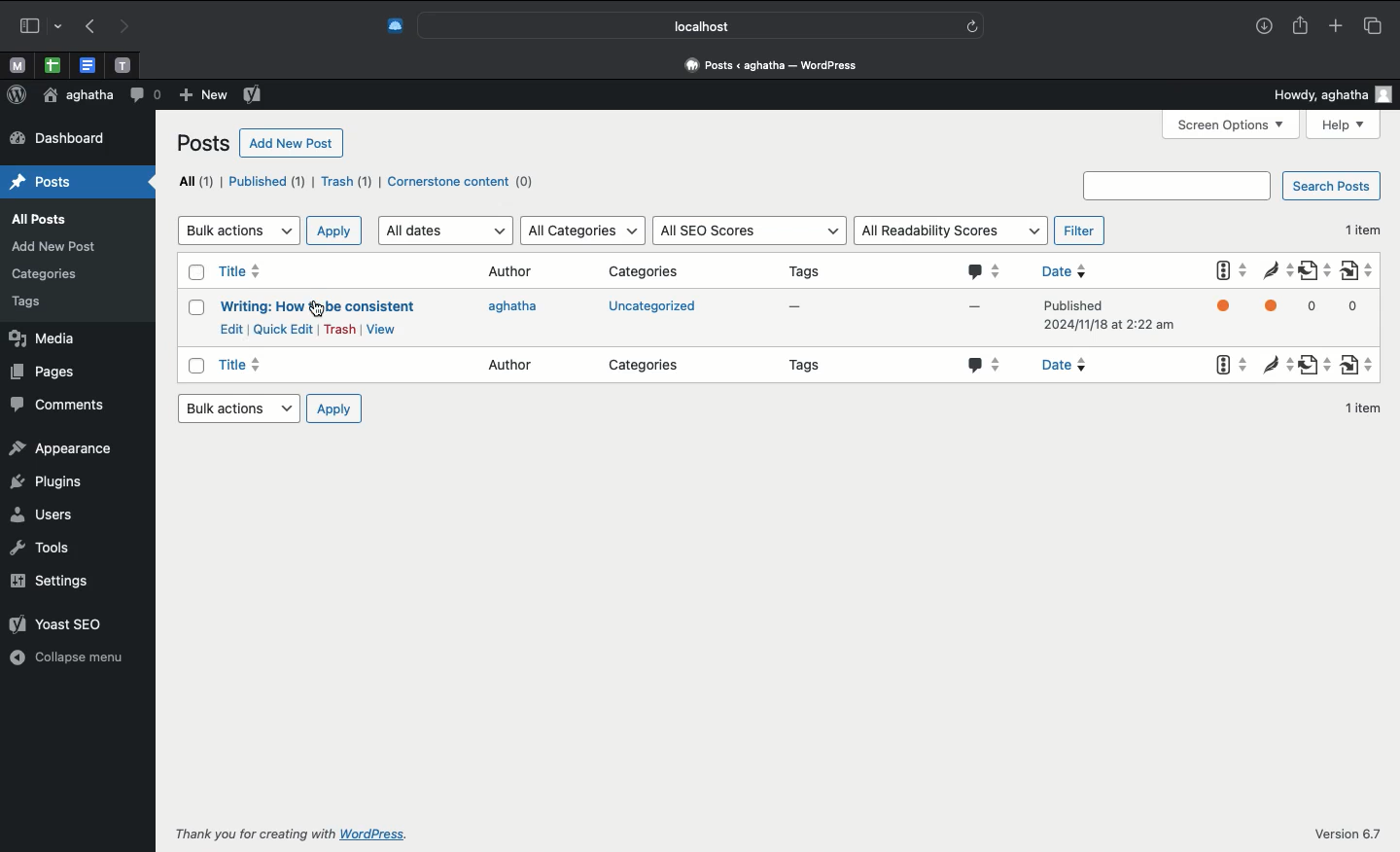 This screenshot has height=852, width=1400. Describe the element at coordinates (49, 277) in the screenshot. I see `categories` at that location.